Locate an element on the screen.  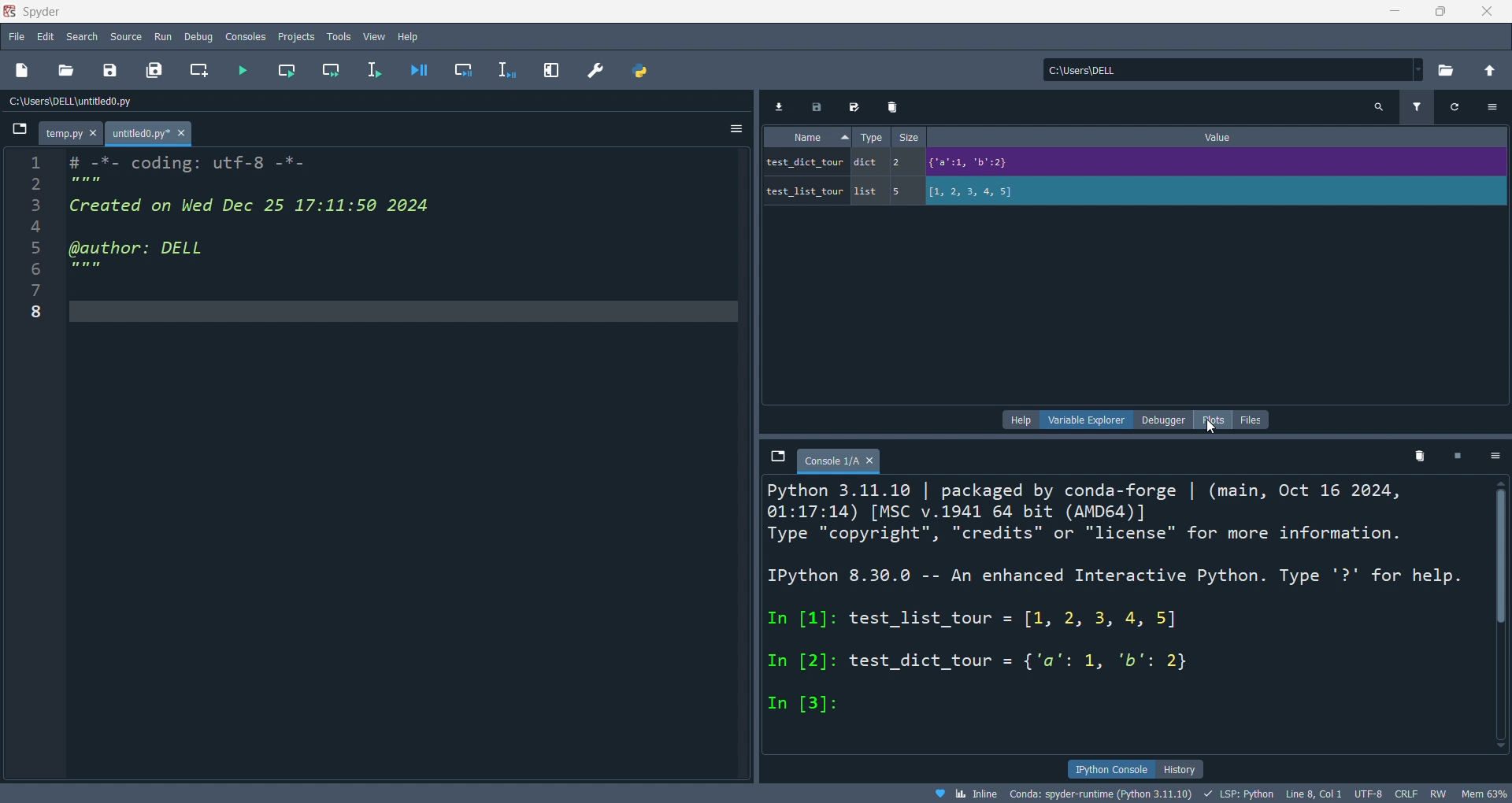
run is located at coordinates (159, 35).